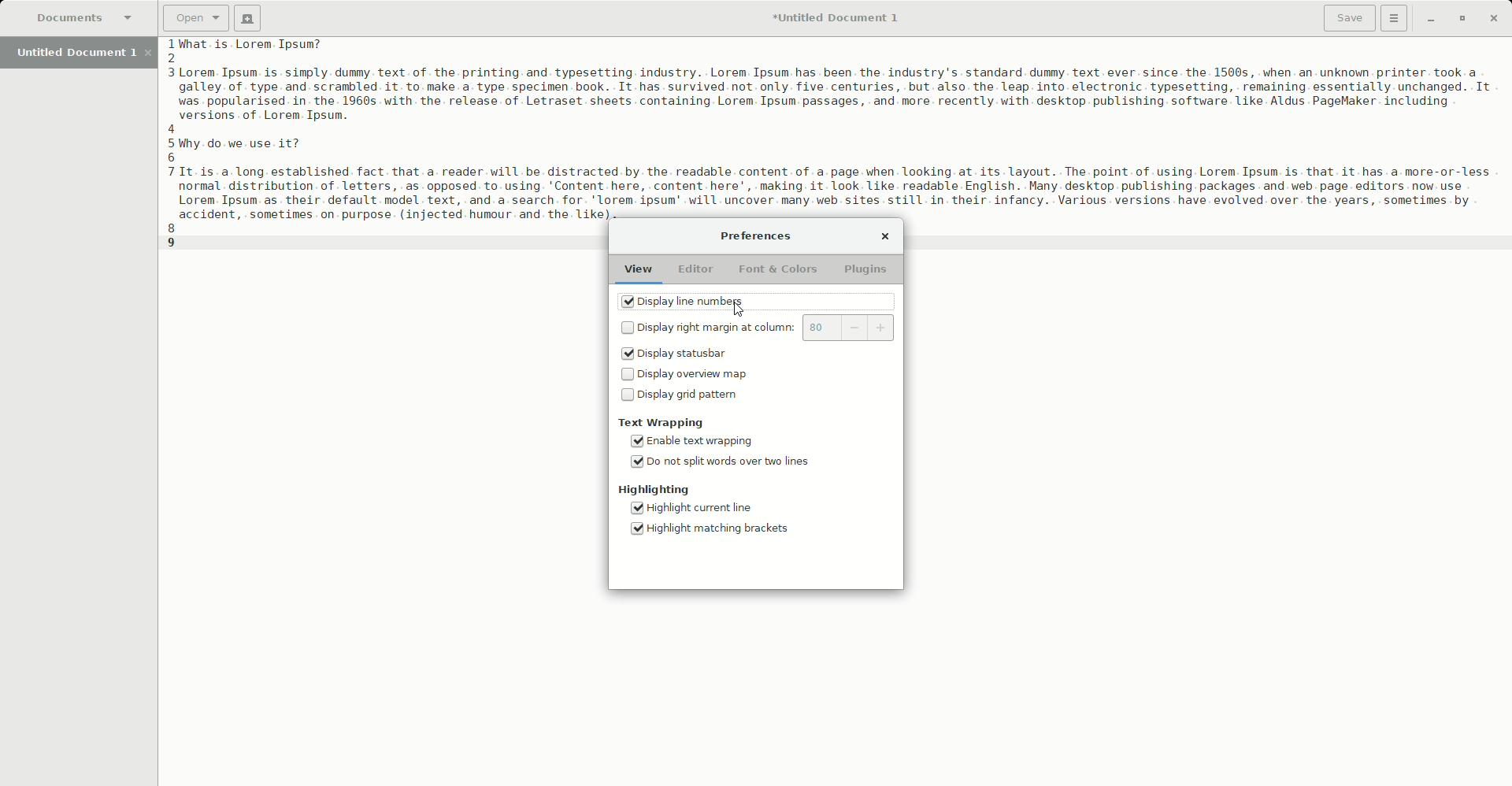 Image resolution: width=1512 pixels, height=786 pixels. What do you see at coordinates (849, 128) in the screenshot?
I see `Paragraphs` at bounding box center [849, 128].